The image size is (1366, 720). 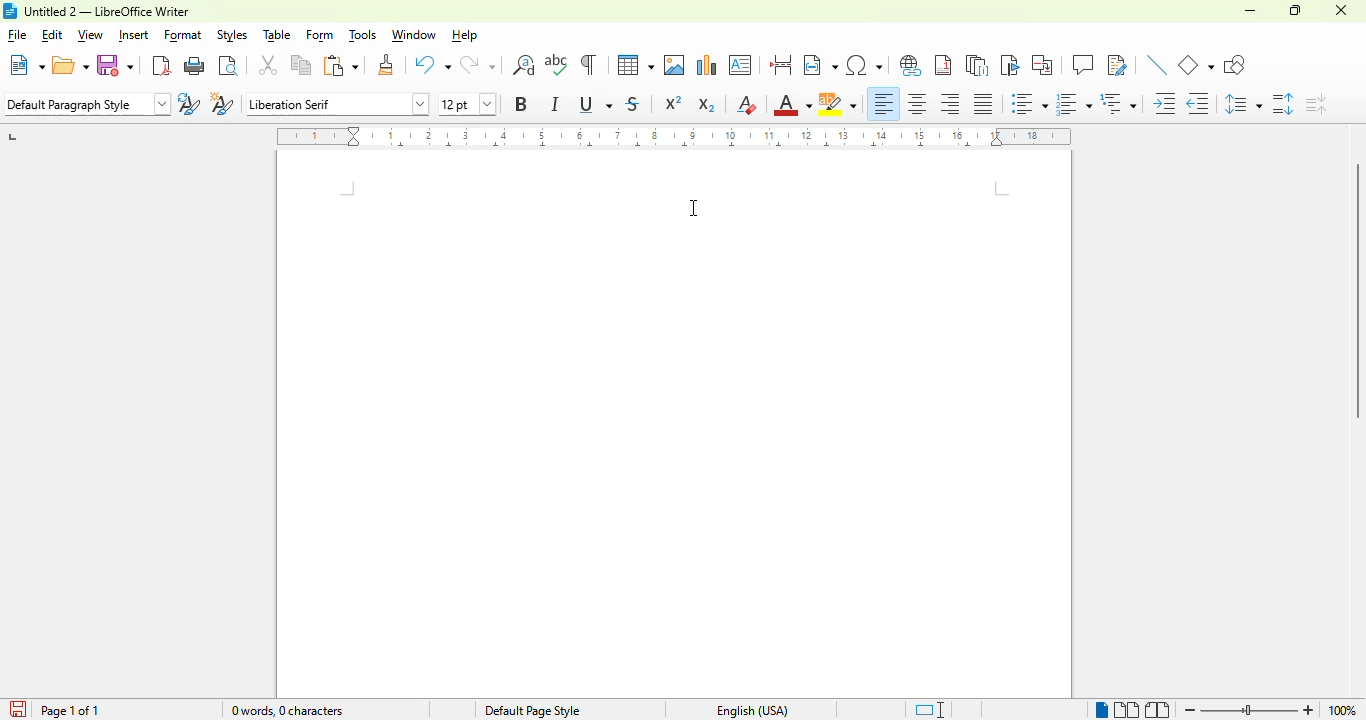 I want to click on decrease paragraph spacing, so click(x=1316, y=105).